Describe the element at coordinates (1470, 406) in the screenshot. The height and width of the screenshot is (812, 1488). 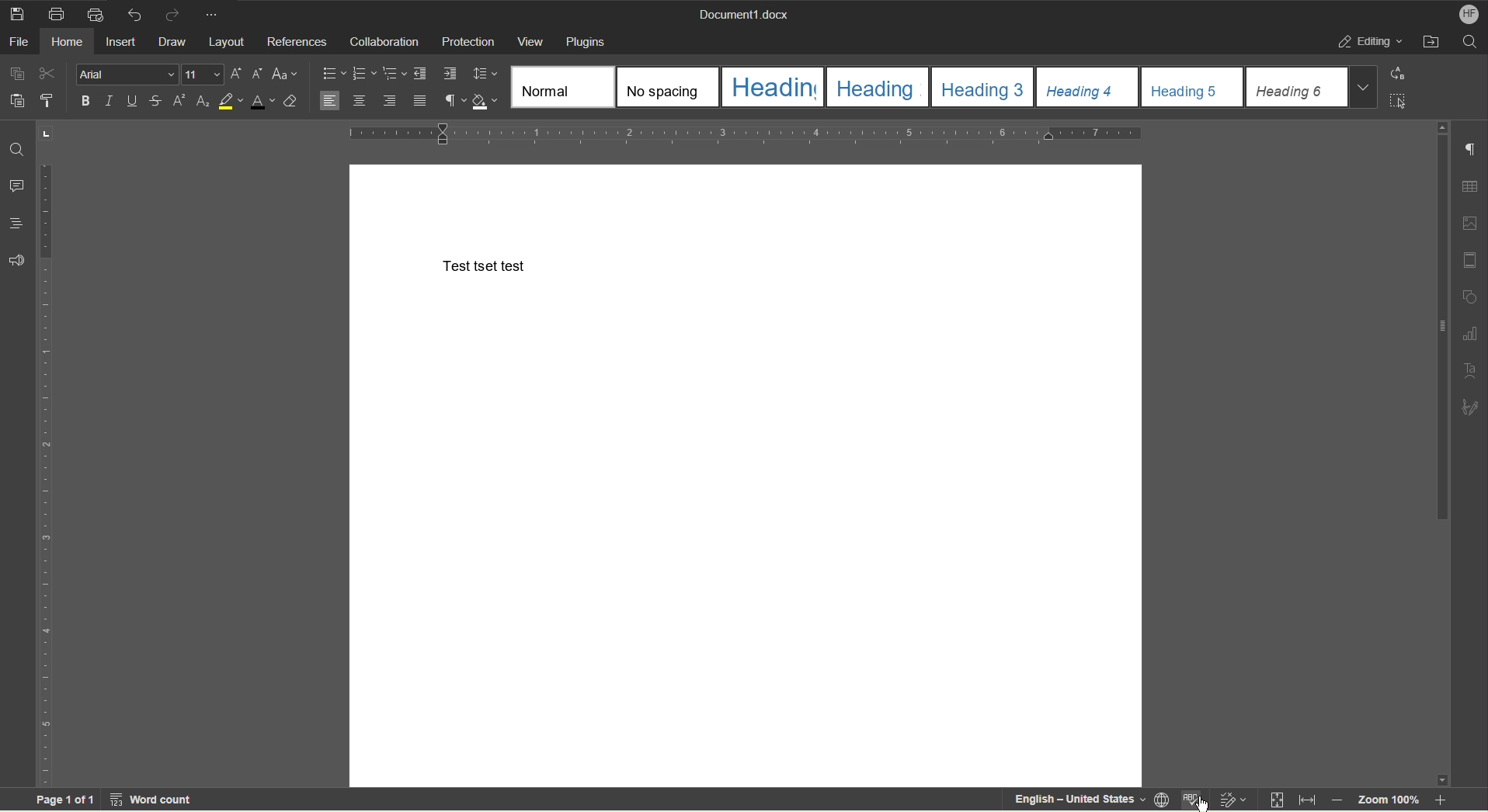
I see `Signature` at that location.